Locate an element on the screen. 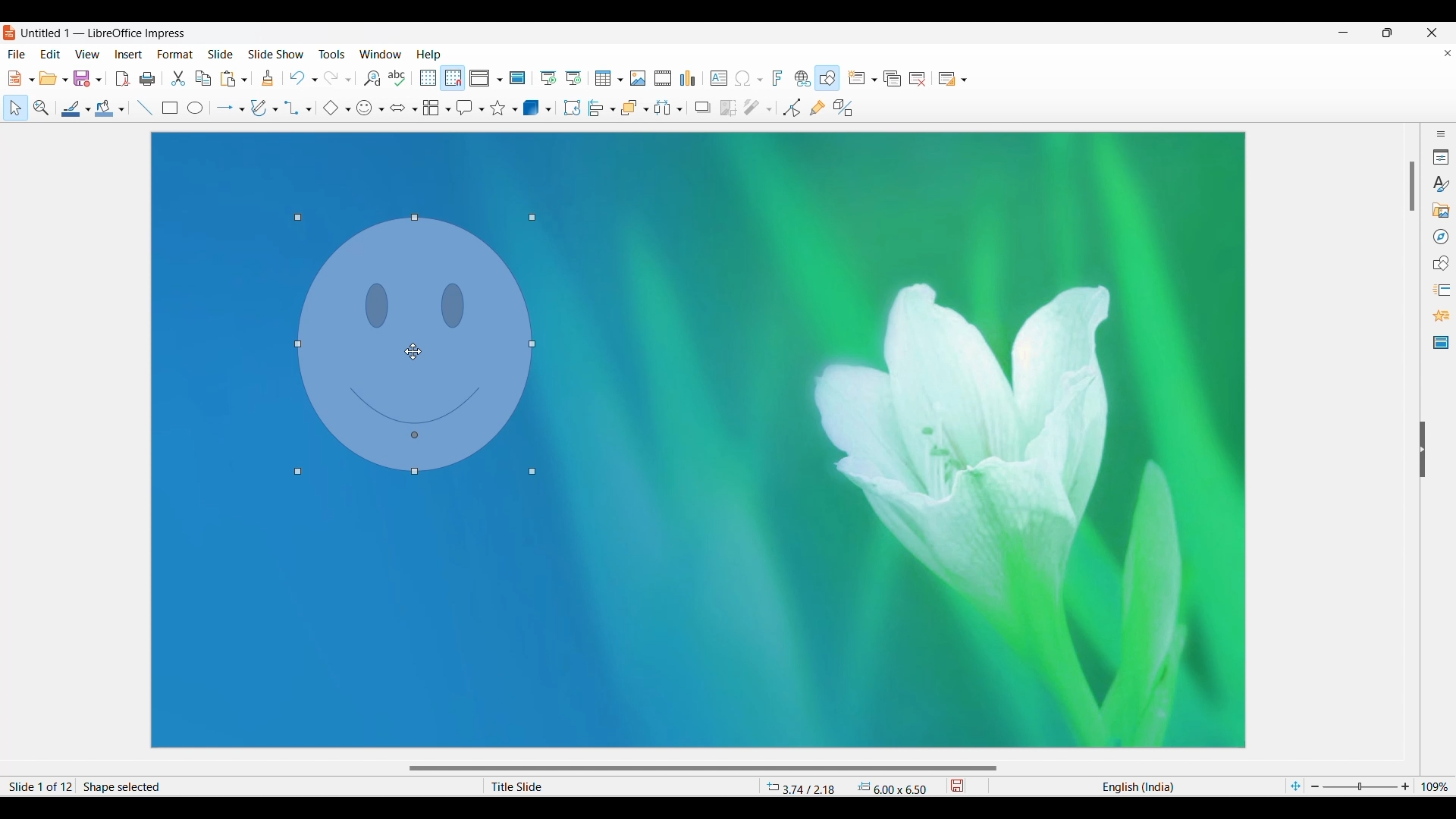  Master slide is located at coordinates (517, 77).